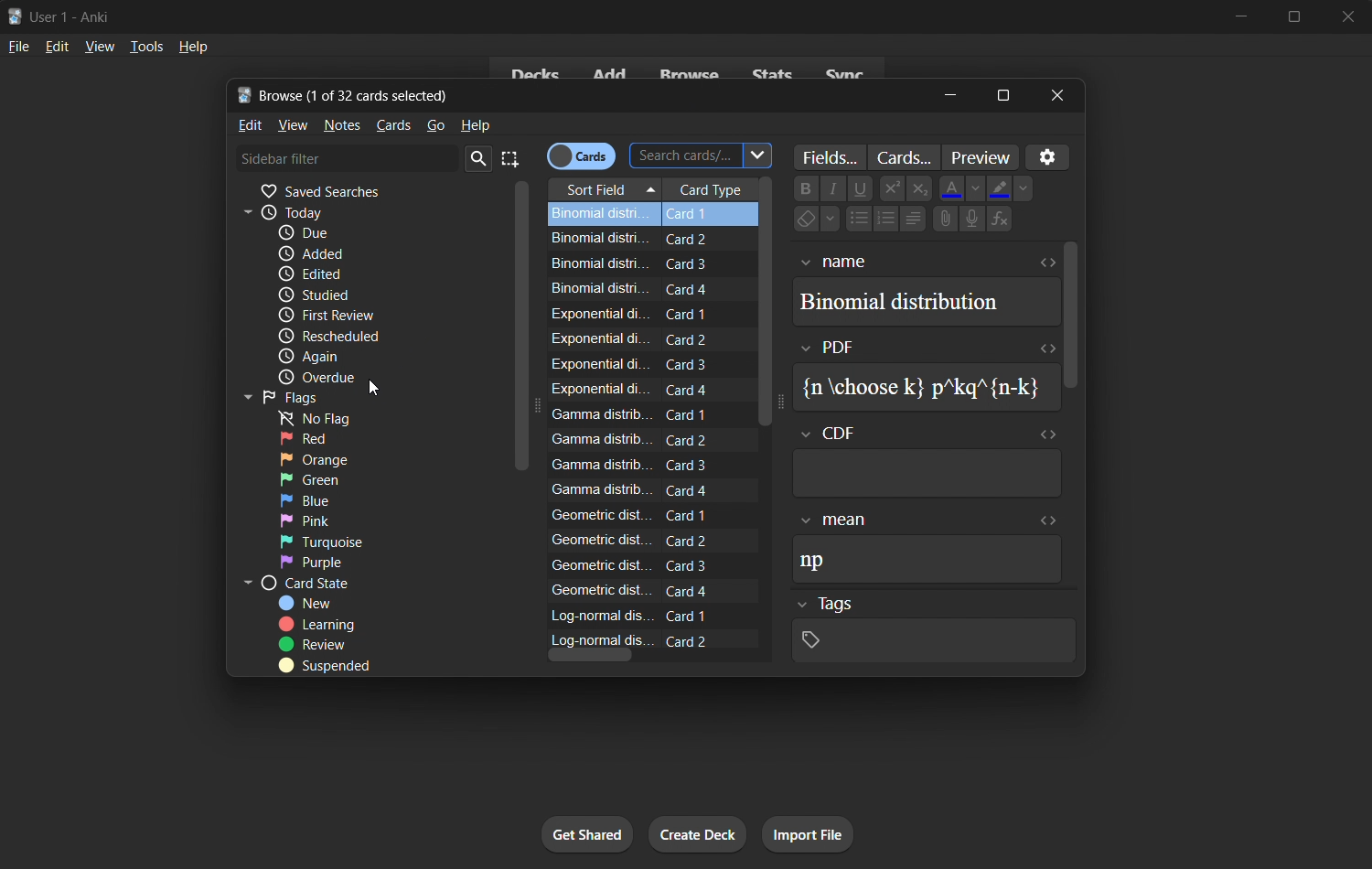  Describe the element at coordinates (294, 126) in the screenshot. I see `view` at that location.